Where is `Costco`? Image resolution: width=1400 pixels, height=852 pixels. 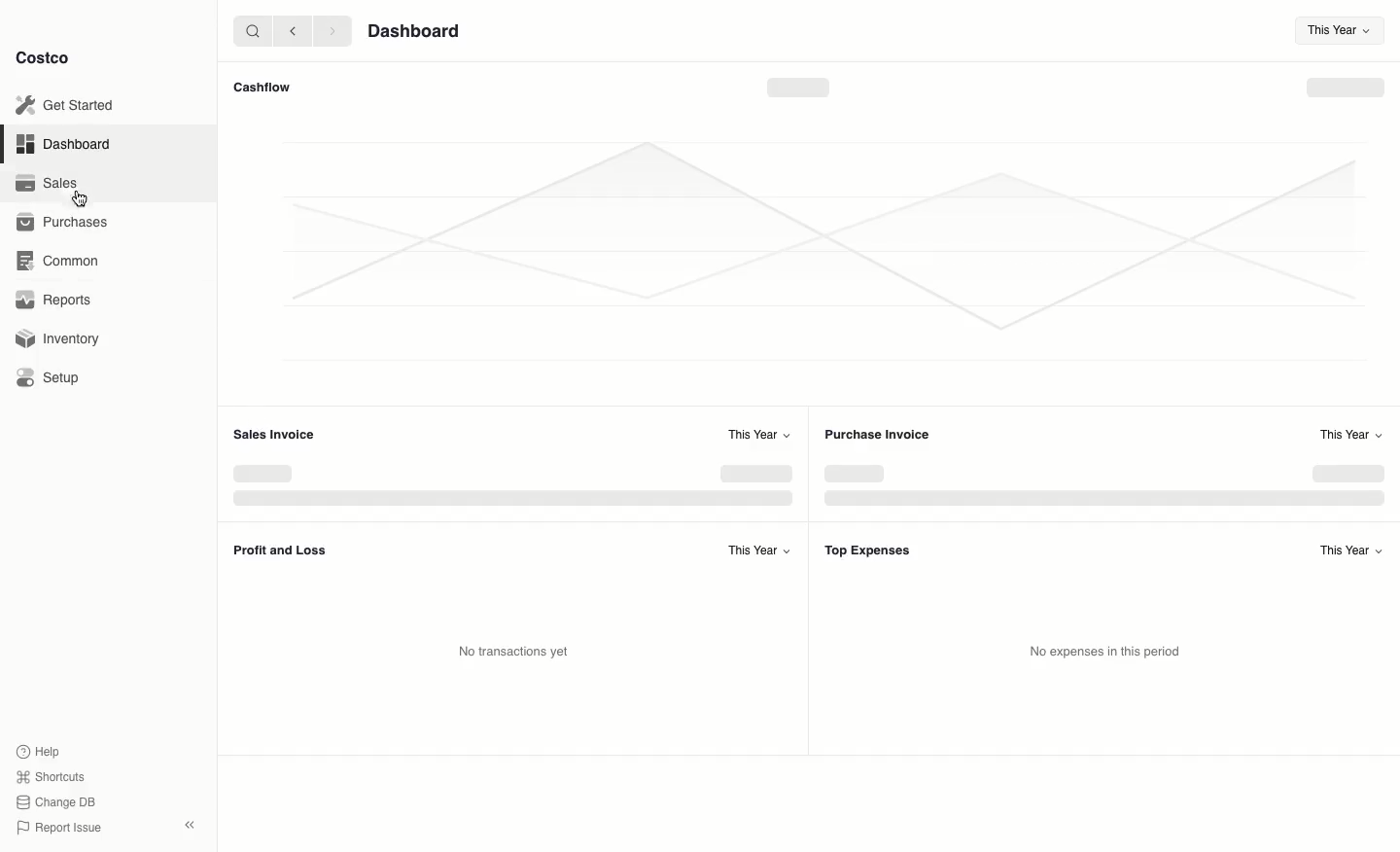 Costco is located at coordinates (48, 58).